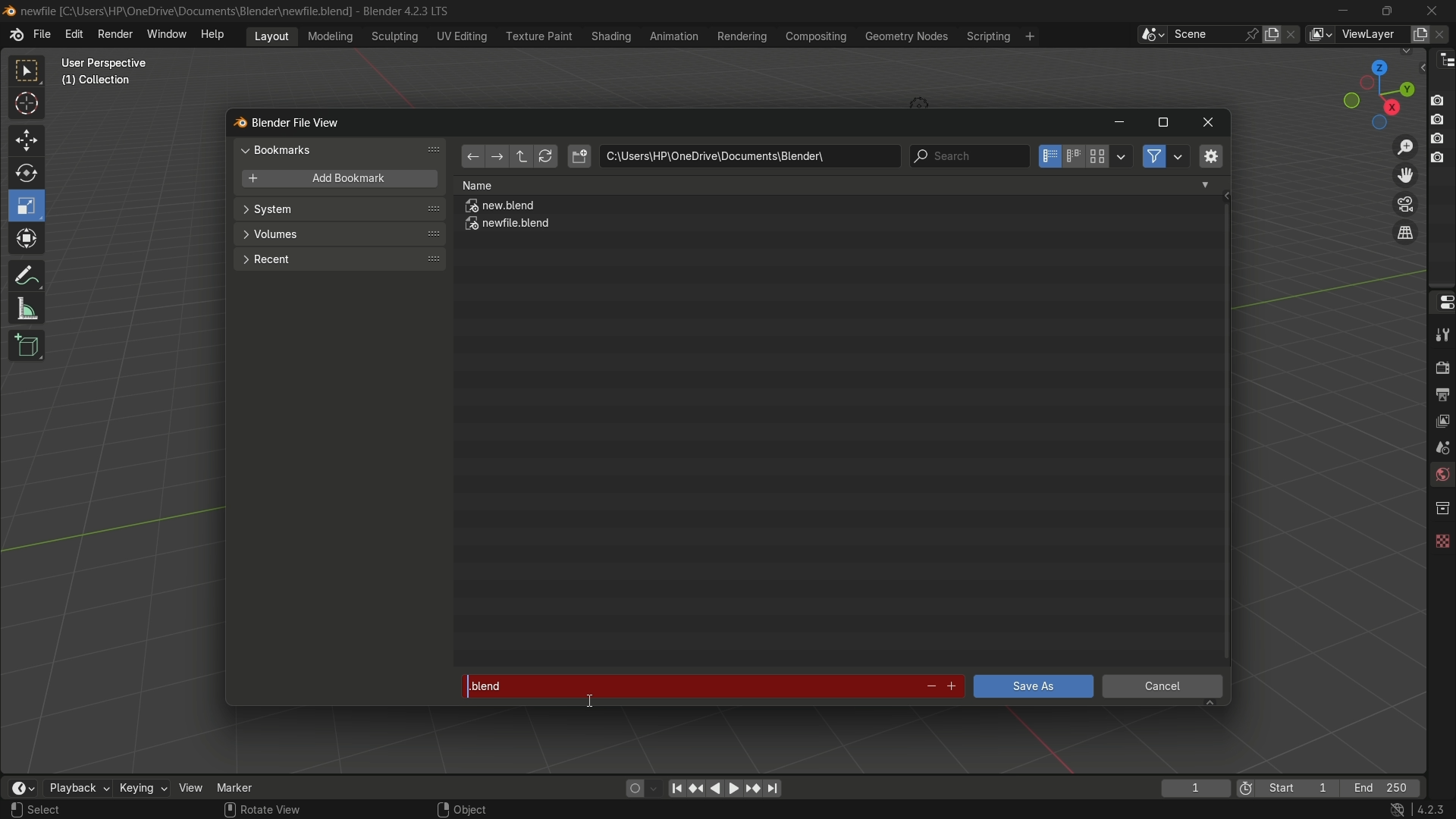 The height and width of the screenshot is (819, 1456). Describe the element at coordinates (1404, 174) in the screenshot. I see `move view layer` at that location.